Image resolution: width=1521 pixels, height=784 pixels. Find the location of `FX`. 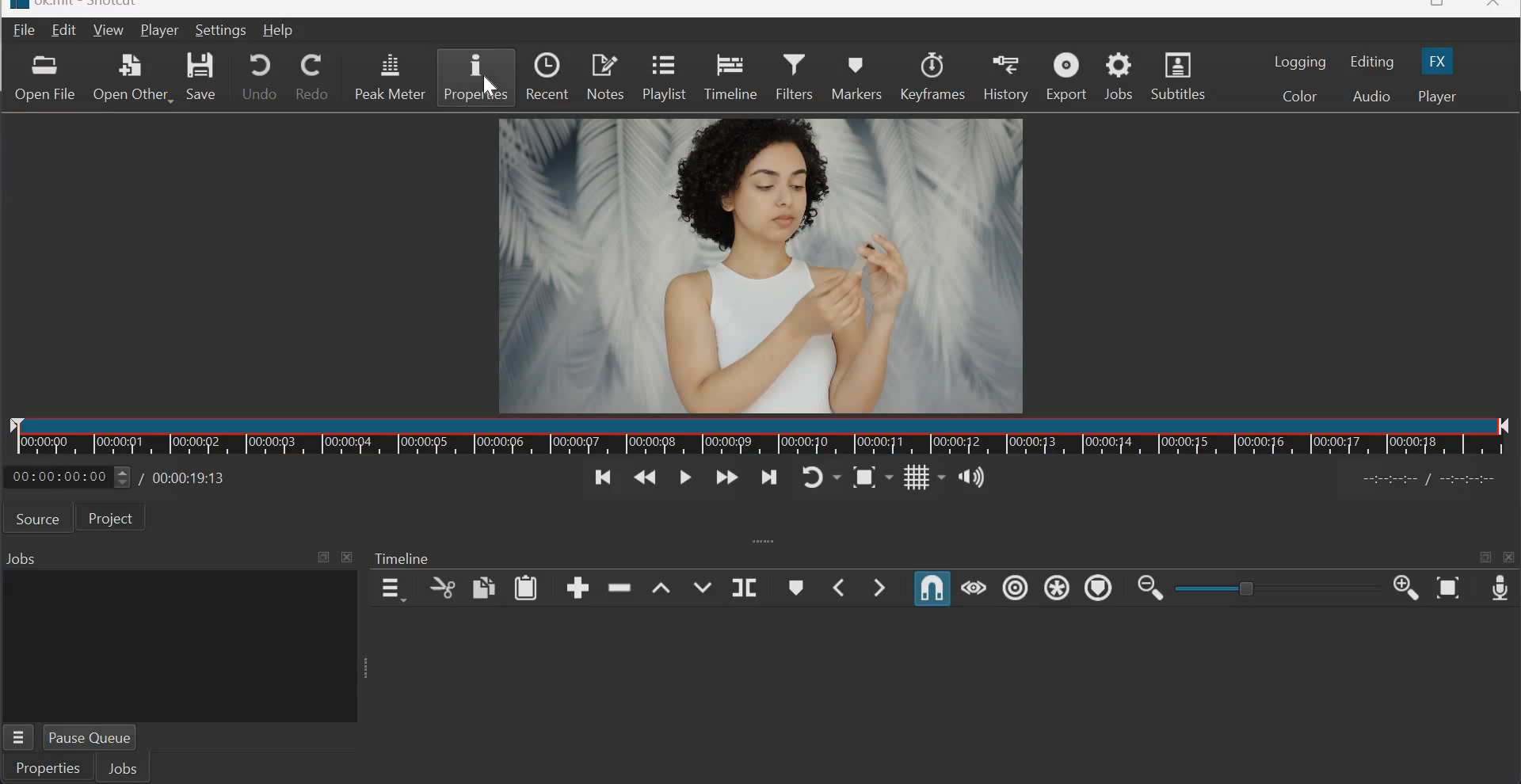

FX is located at coordinates (1439, 59).